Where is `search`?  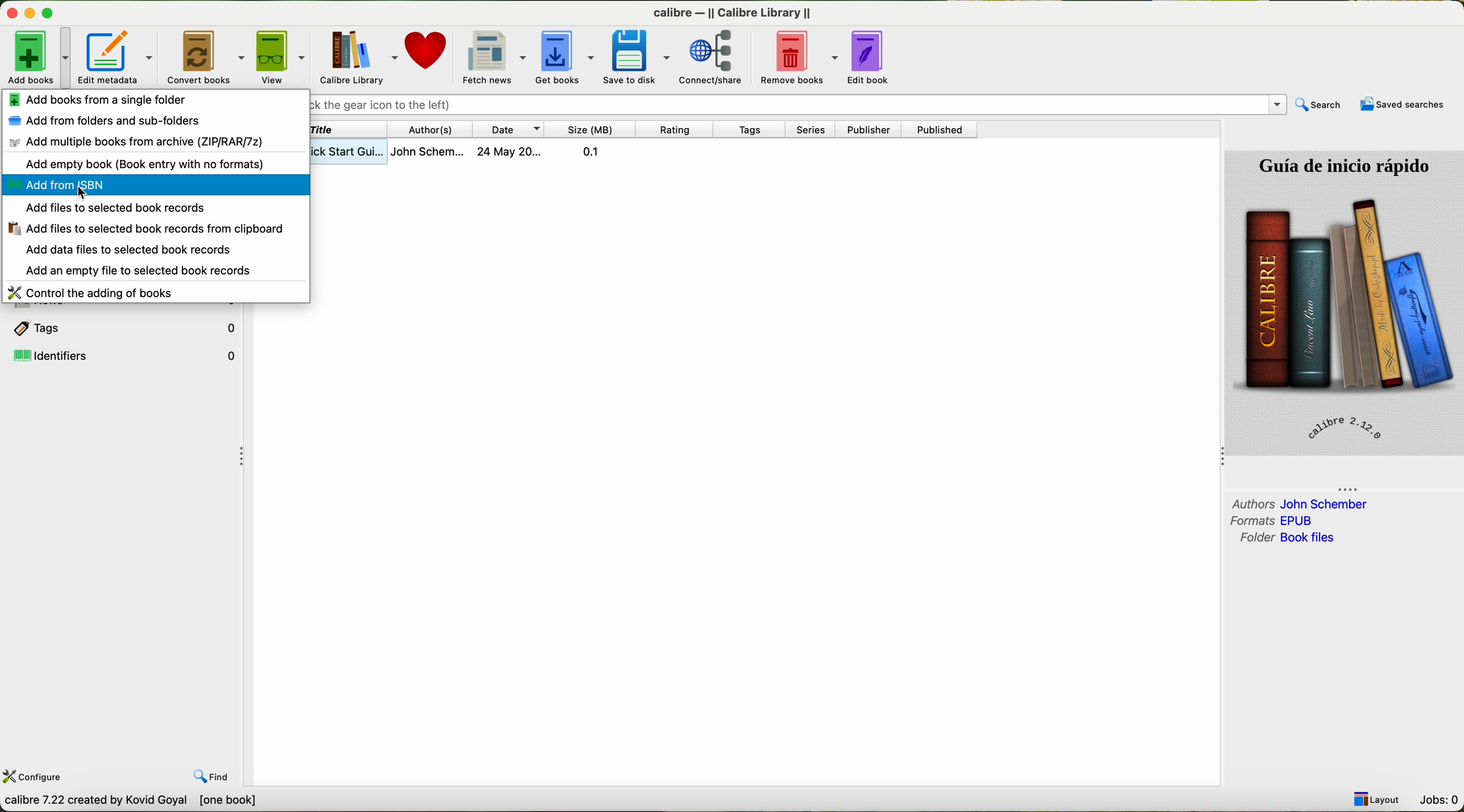 search is located at coordinates (1319, 105).